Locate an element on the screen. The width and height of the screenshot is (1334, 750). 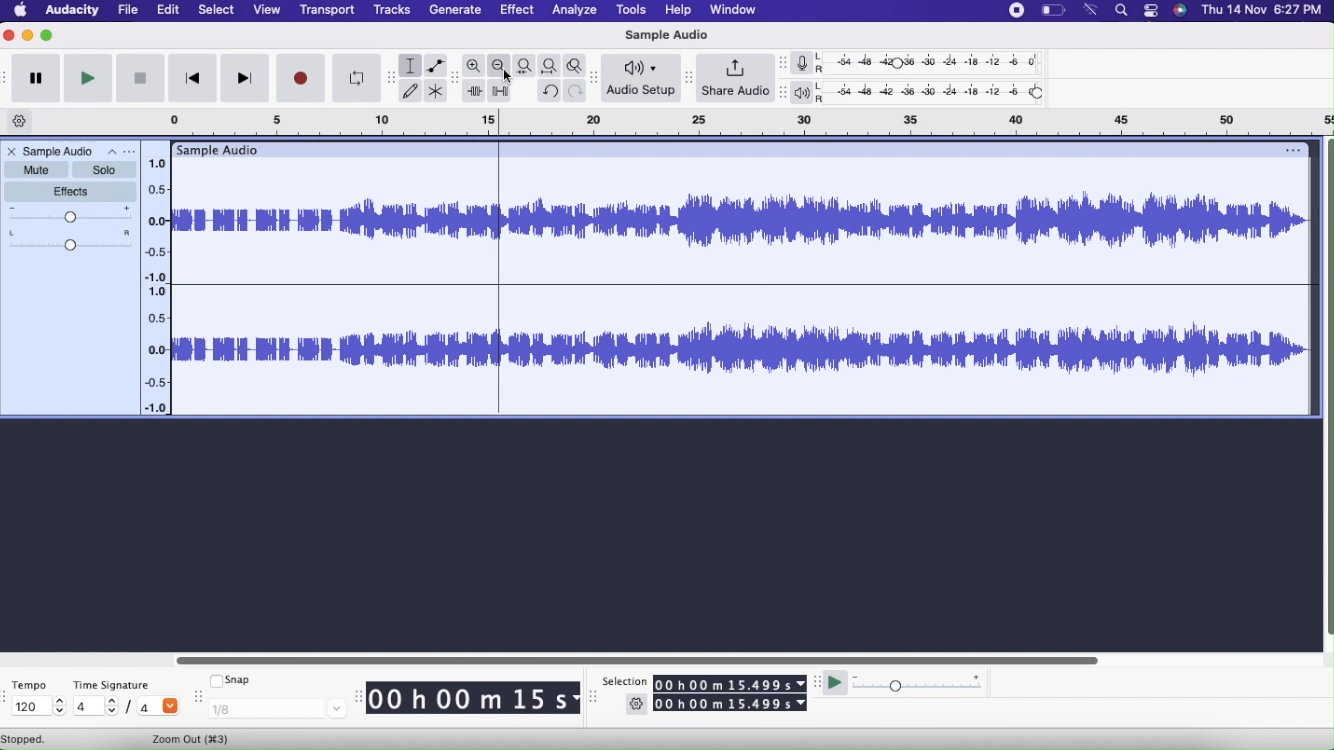
Selection is located at coordinates (625, 682).